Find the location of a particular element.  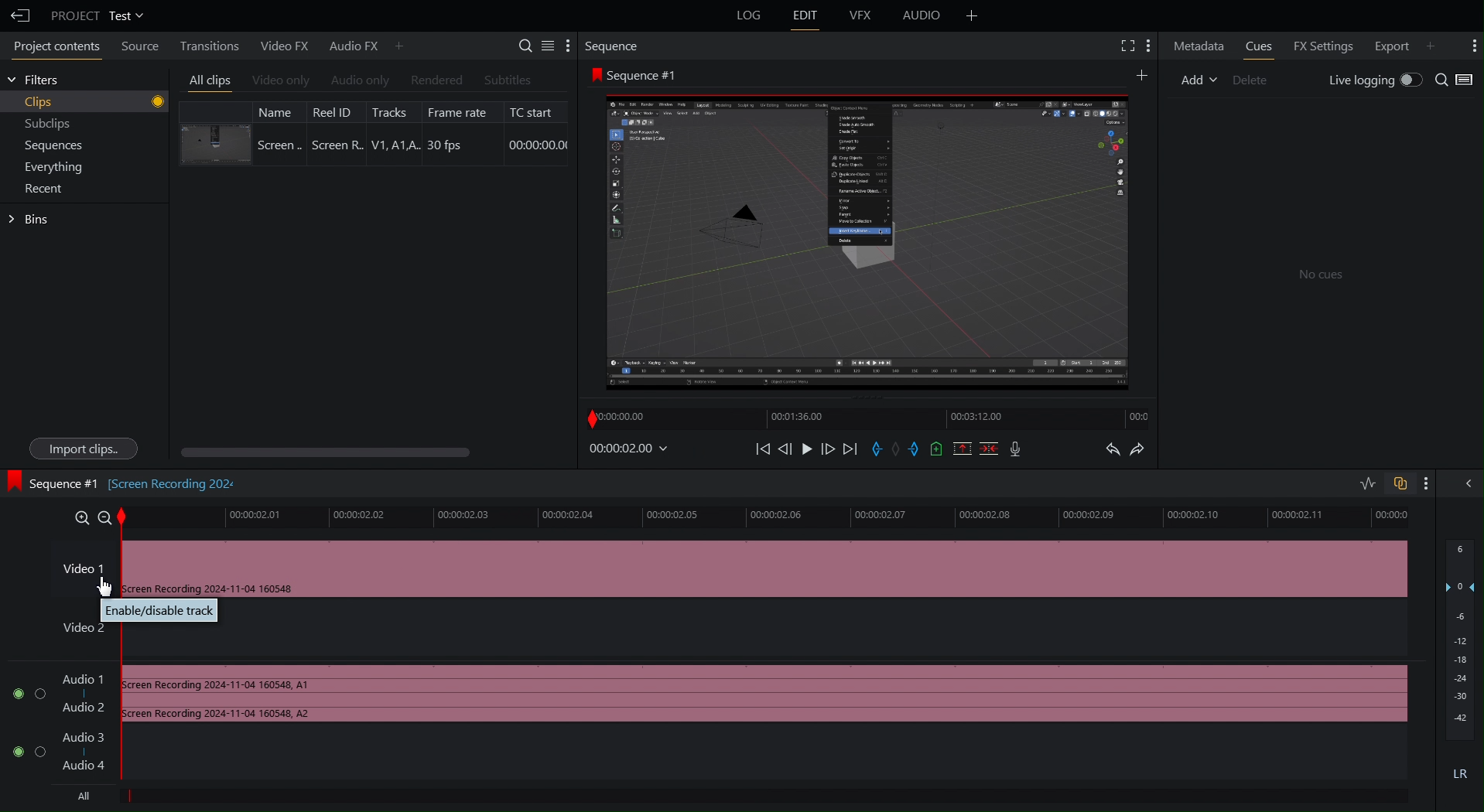

Search is located at coordinates (1457, 80).